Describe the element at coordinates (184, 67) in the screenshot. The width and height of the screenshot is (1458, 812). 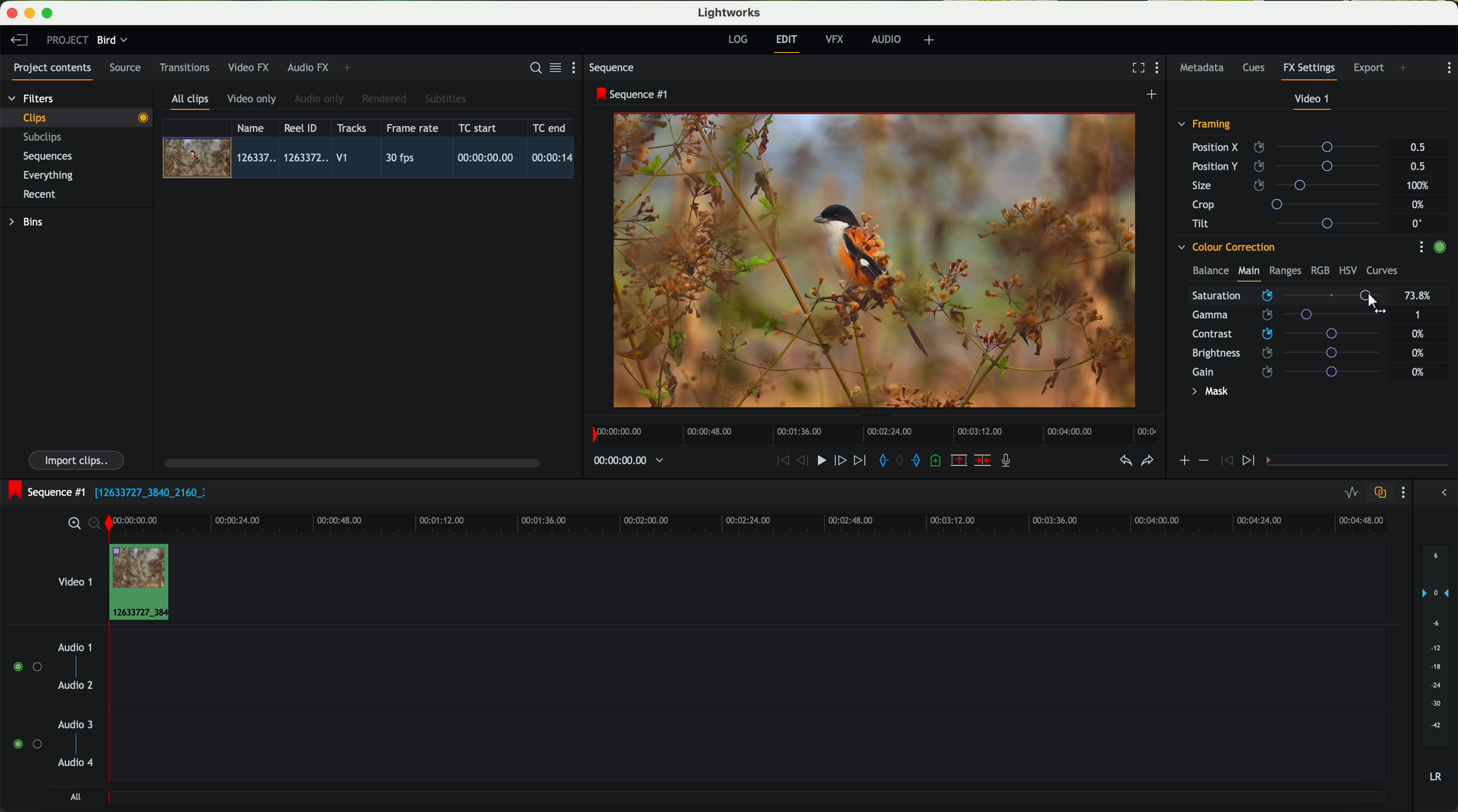
I see `transitions` at that location.